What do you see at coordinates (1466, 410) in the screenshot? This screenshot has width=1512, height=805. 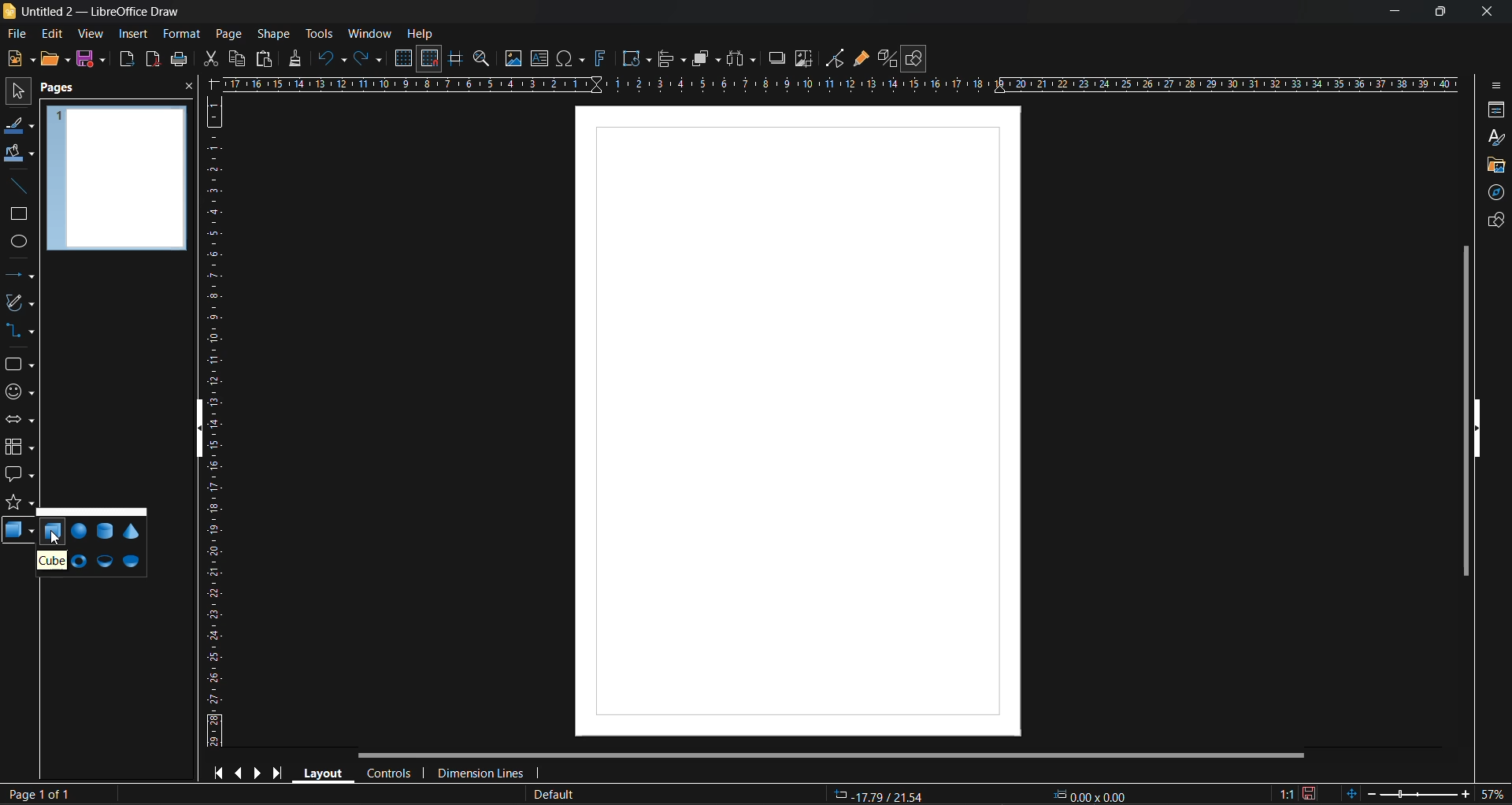 I see `vertical scroll bar` at bounding box center [1466, 410].